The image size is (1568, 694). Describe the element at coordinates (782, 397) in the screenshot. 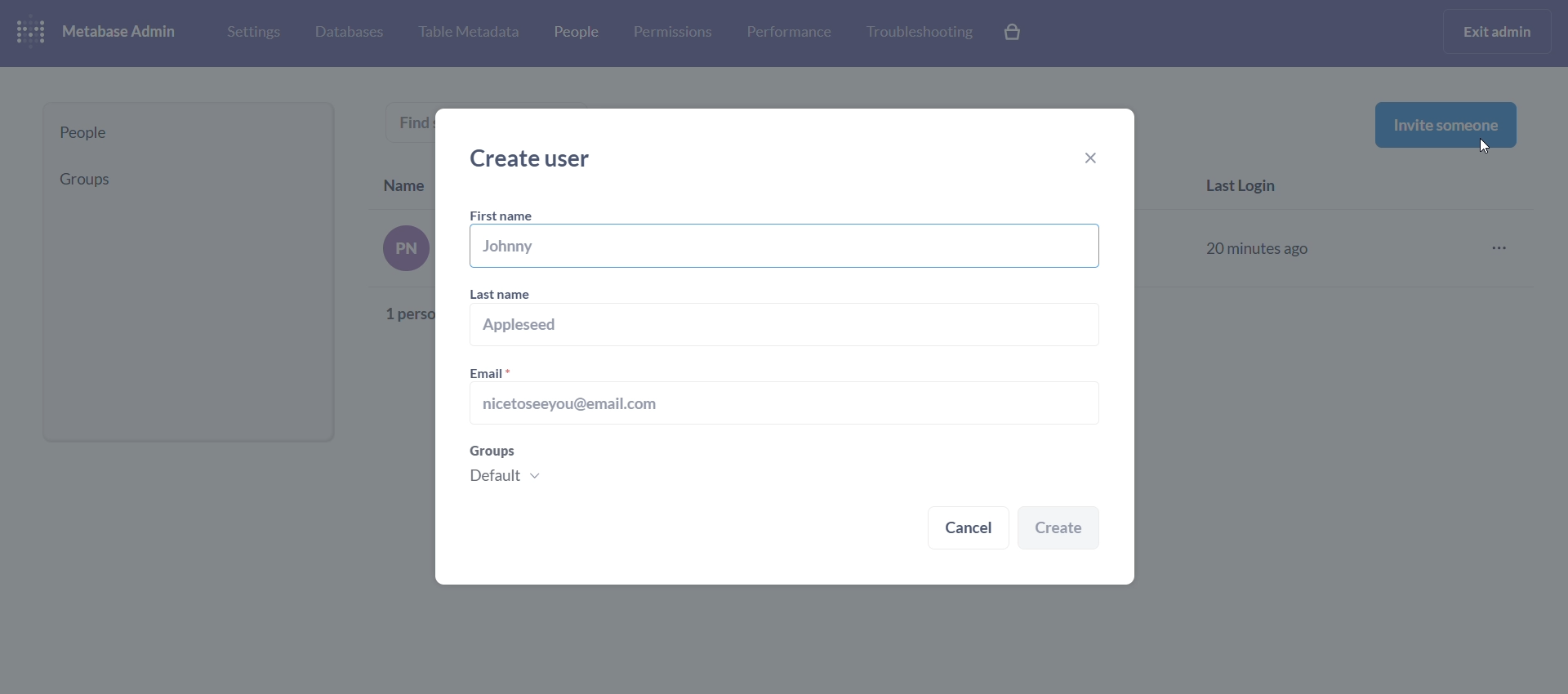

I see `email` at that location.